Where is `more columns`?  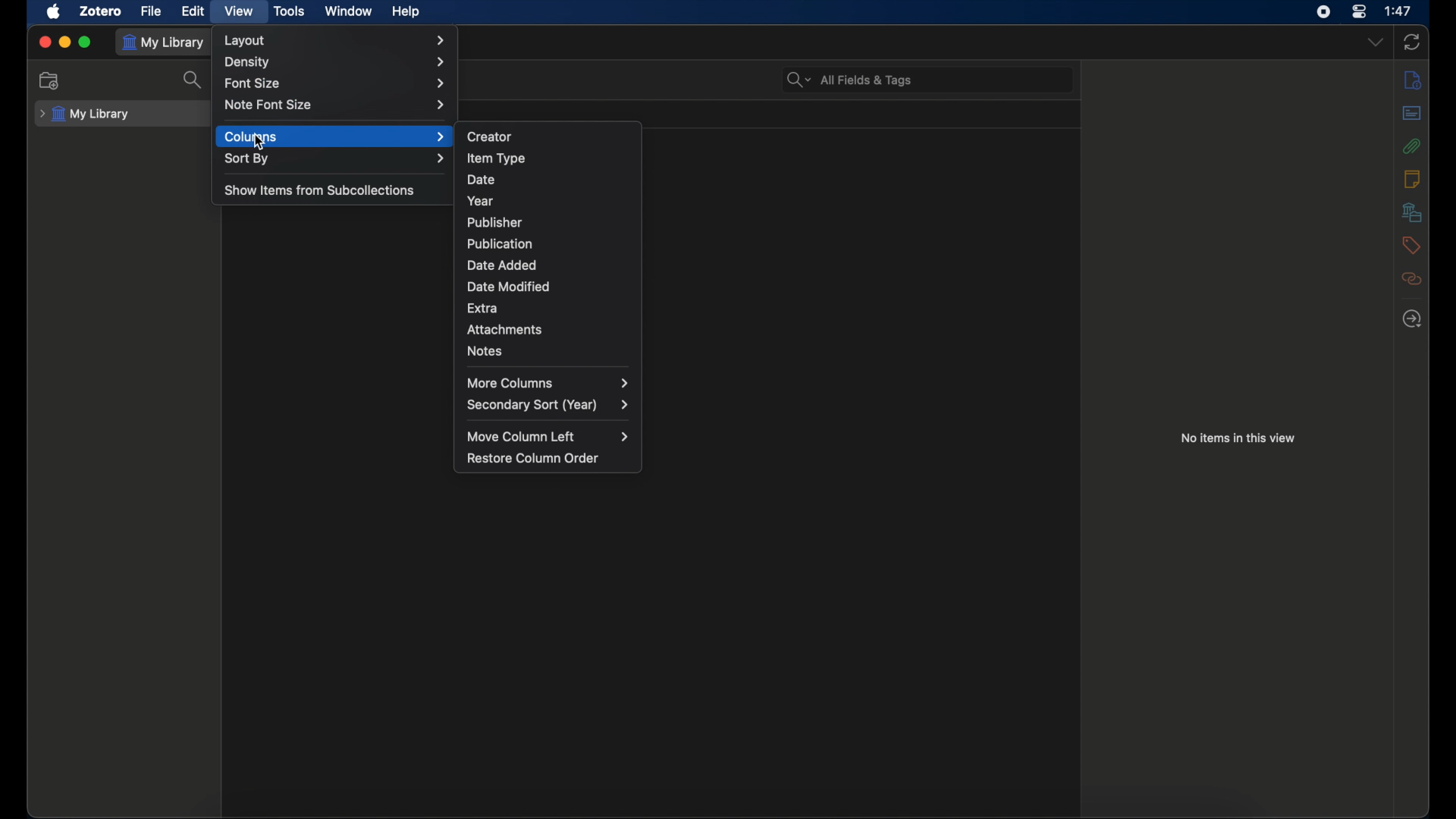
more columns is located at coordinates (548, 381).